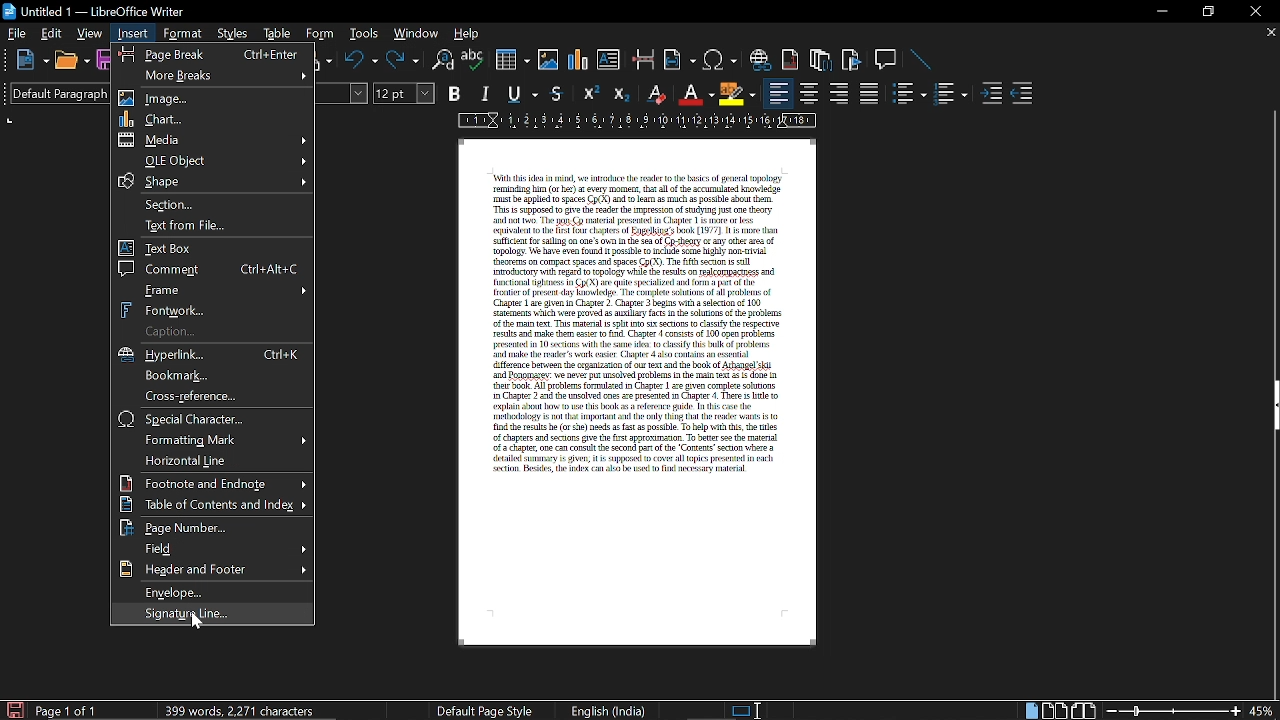  I want to click on undo, so click(362, 59).